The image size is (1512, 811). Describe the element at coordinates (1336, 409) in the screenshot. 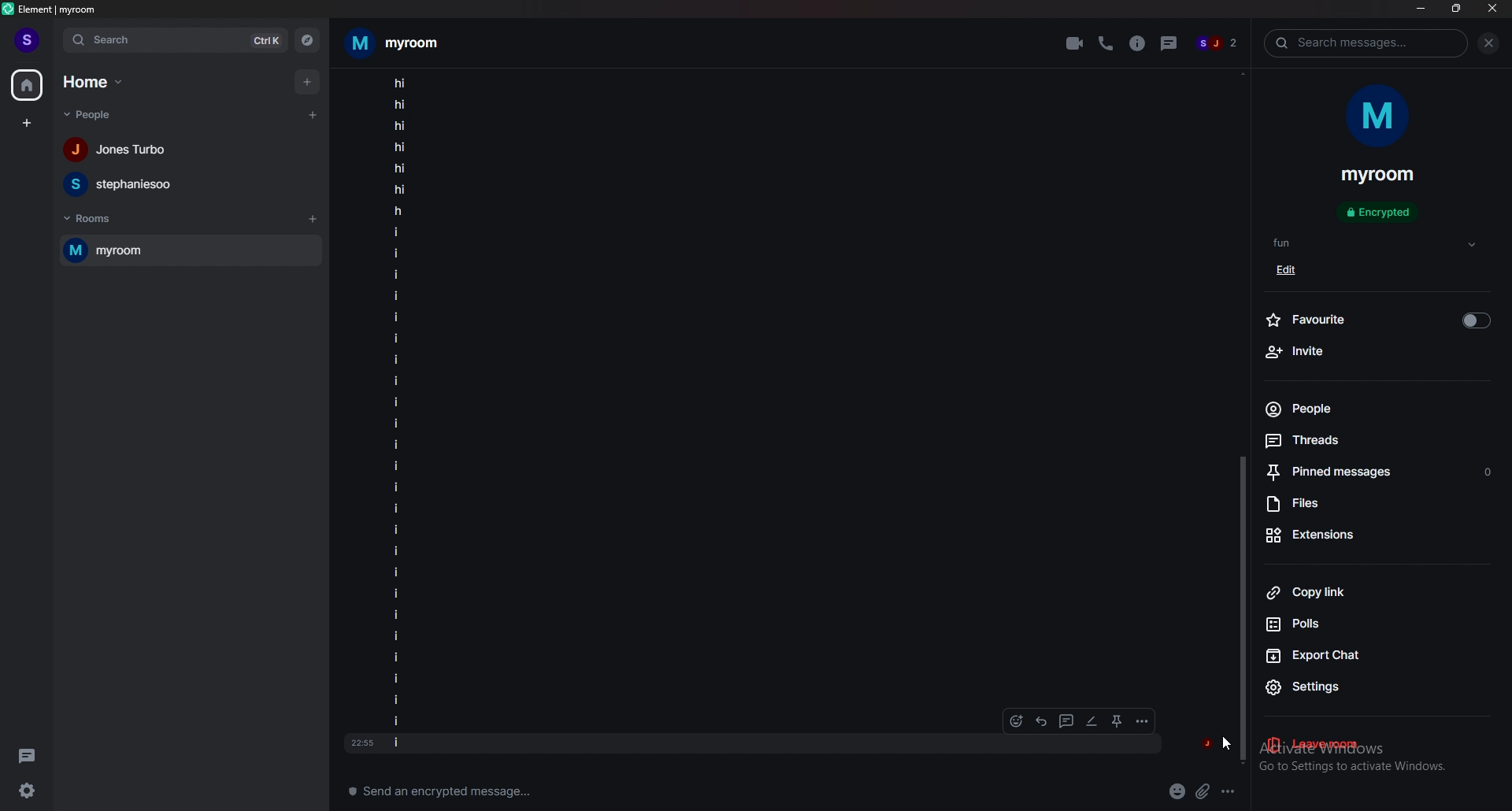

I see `people` at that location.